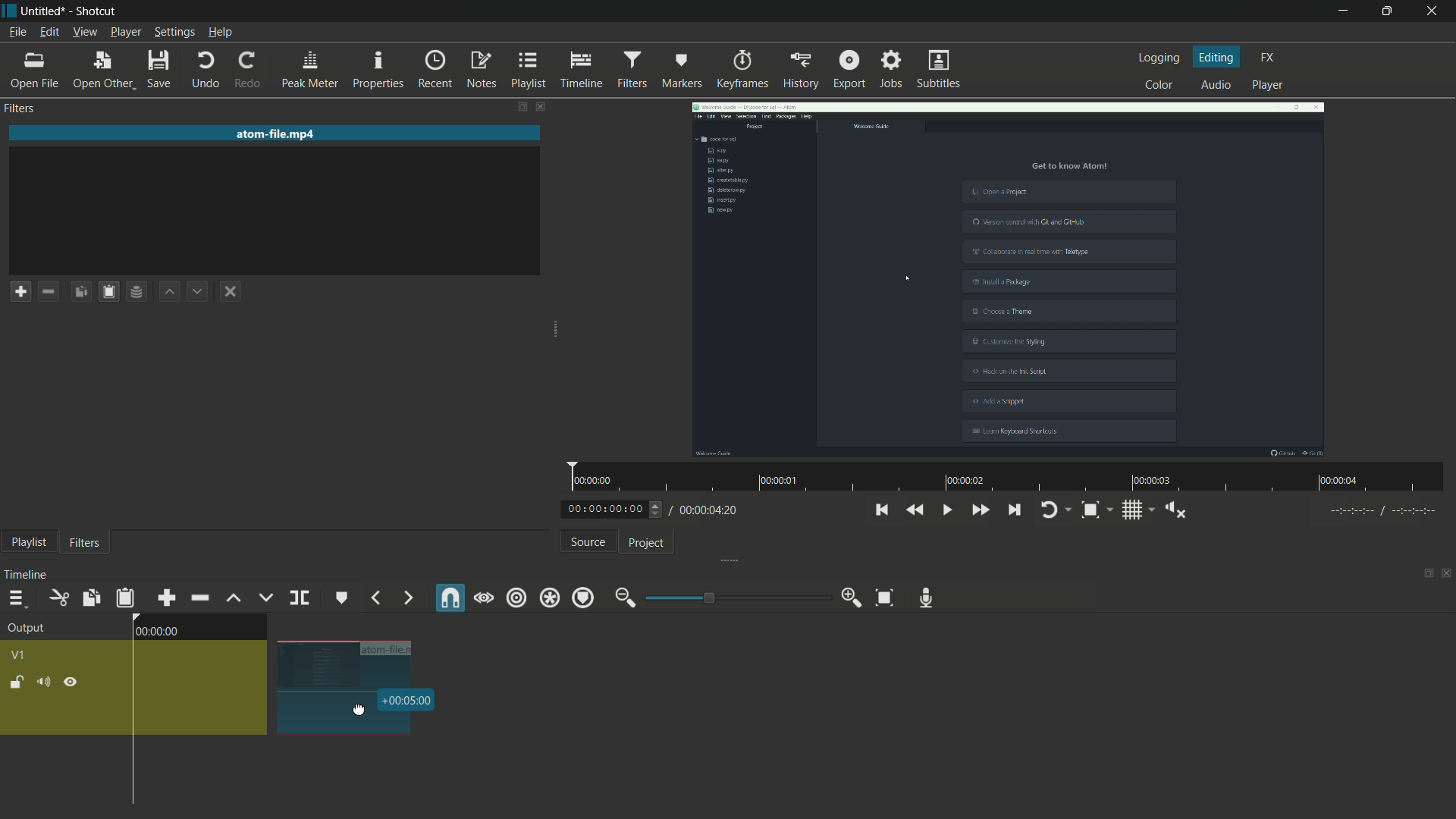 The image size is (1456, 819). I want to click on toggle zoom, so click(1090, 510).